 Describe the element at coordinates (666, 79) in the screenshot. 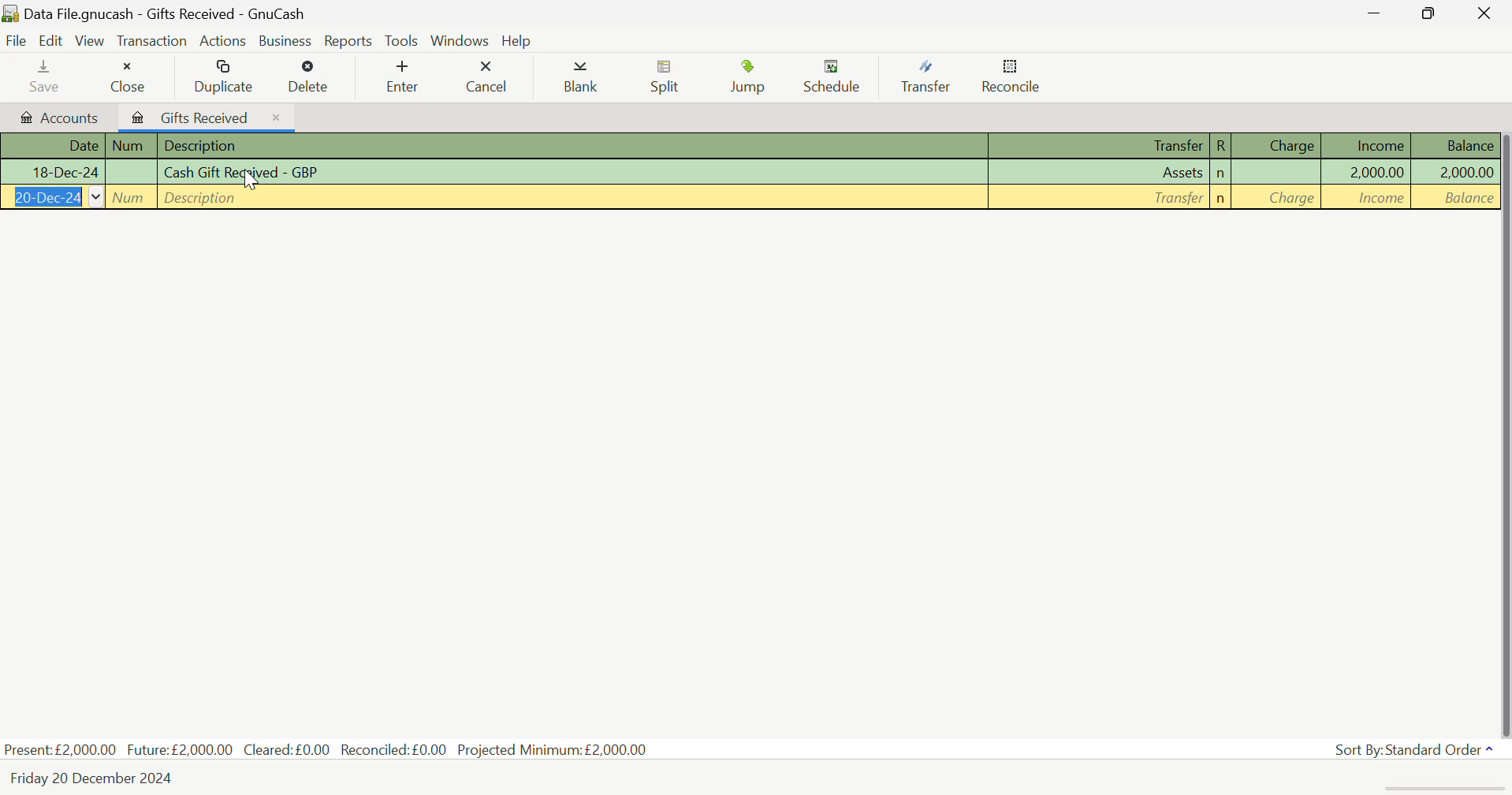

I see `Split` at that location.